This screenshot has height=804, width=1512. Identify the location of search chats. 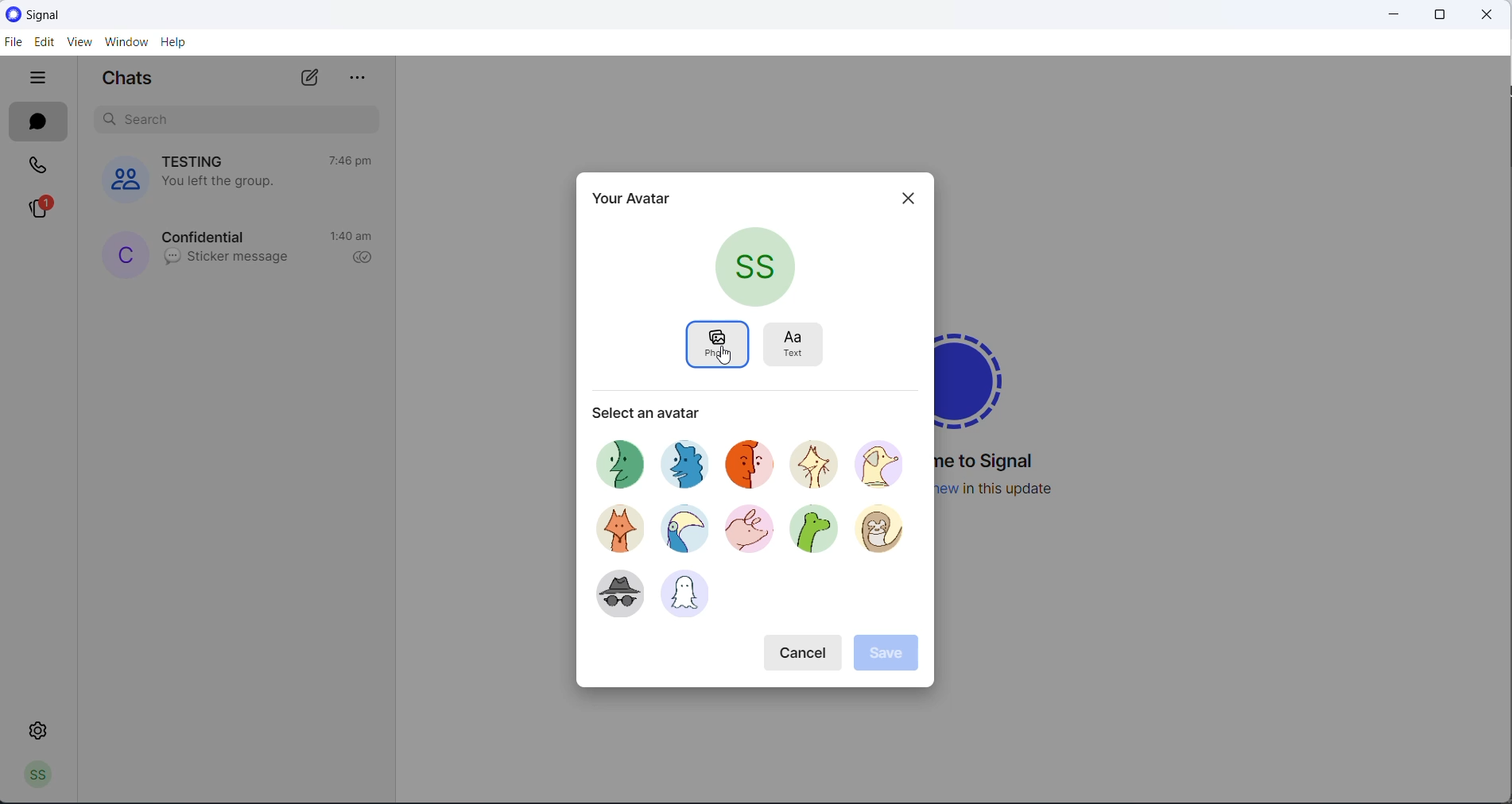
(231, 119).